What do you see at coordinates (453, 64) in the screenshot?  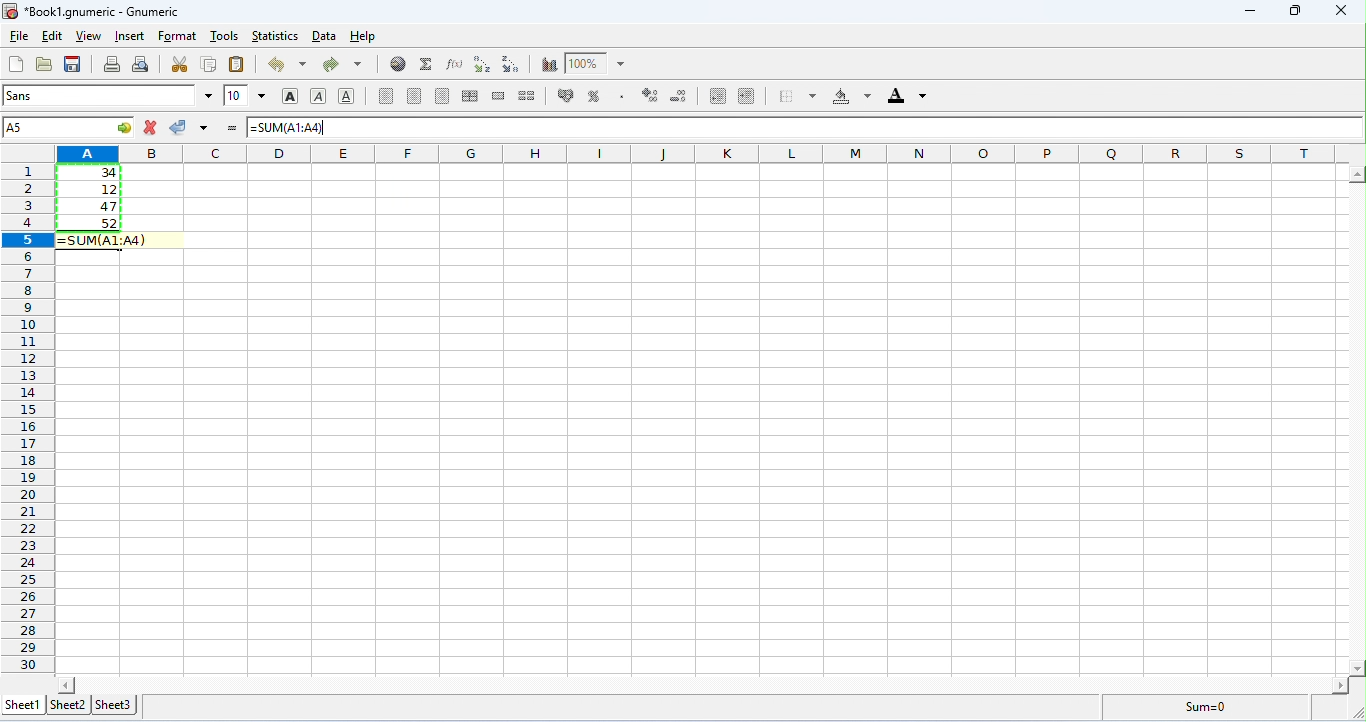 I see `edit a function` at bounding box center [453, 64].